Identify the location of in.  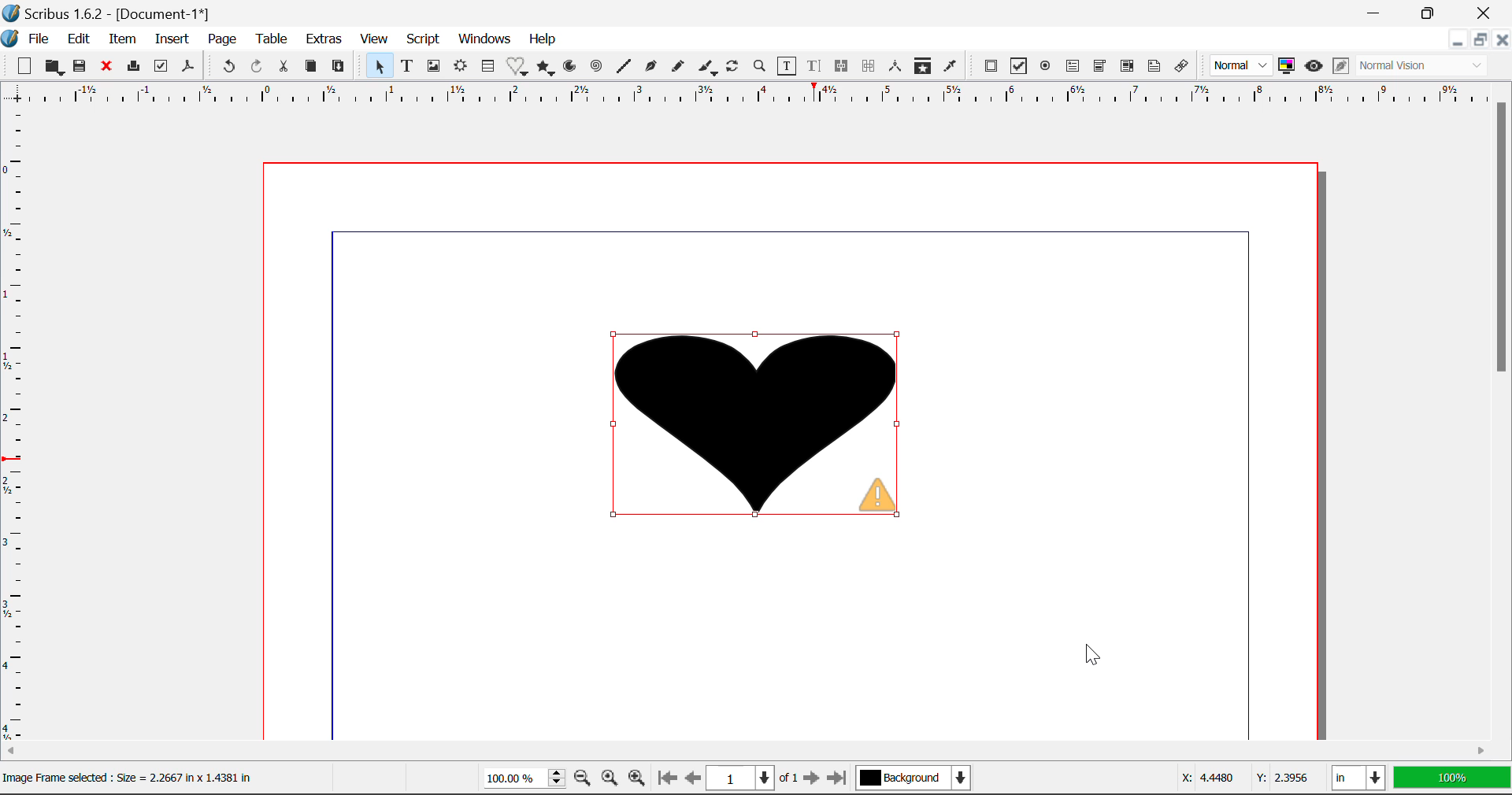
(1358, 778).